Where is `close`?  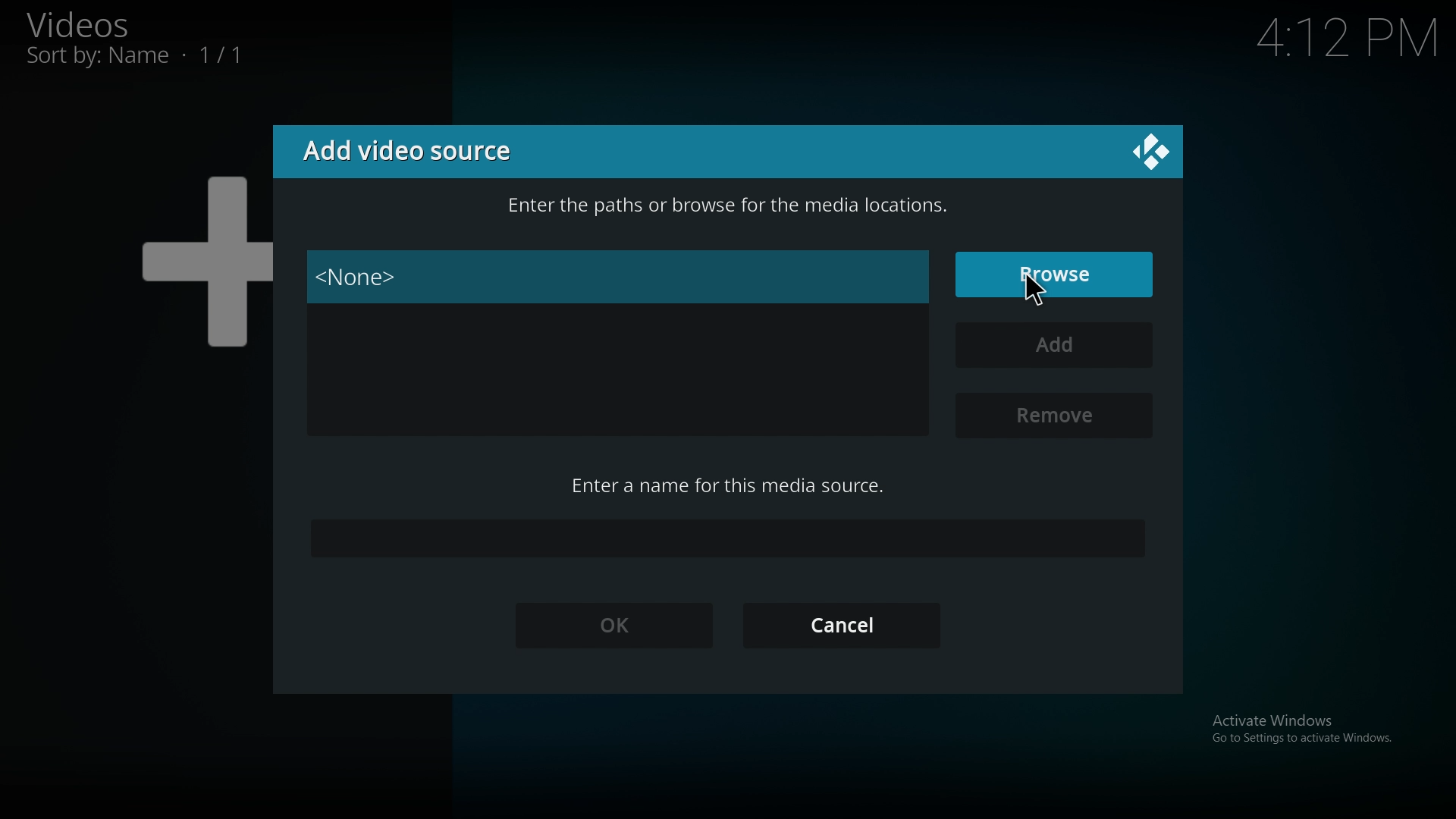
close is located at coordinates (1152, 152).